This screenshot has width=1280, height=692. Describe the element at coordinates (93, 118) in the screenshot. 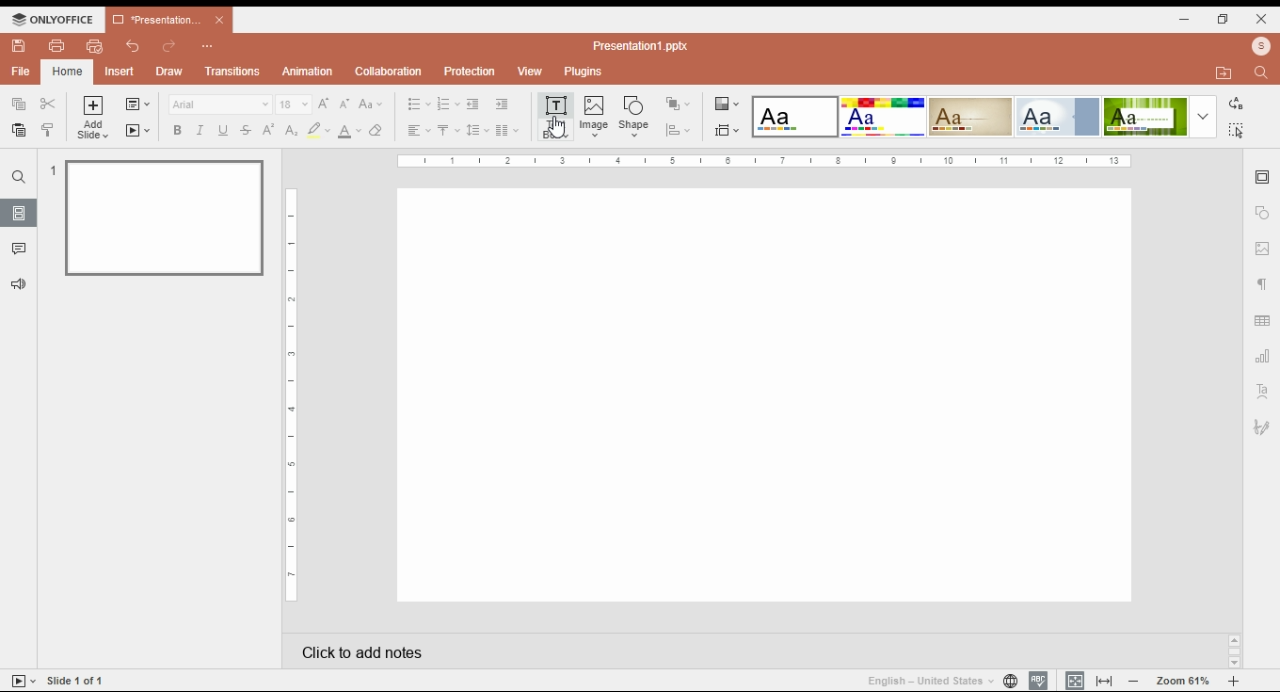

I see `add slide` at that location.